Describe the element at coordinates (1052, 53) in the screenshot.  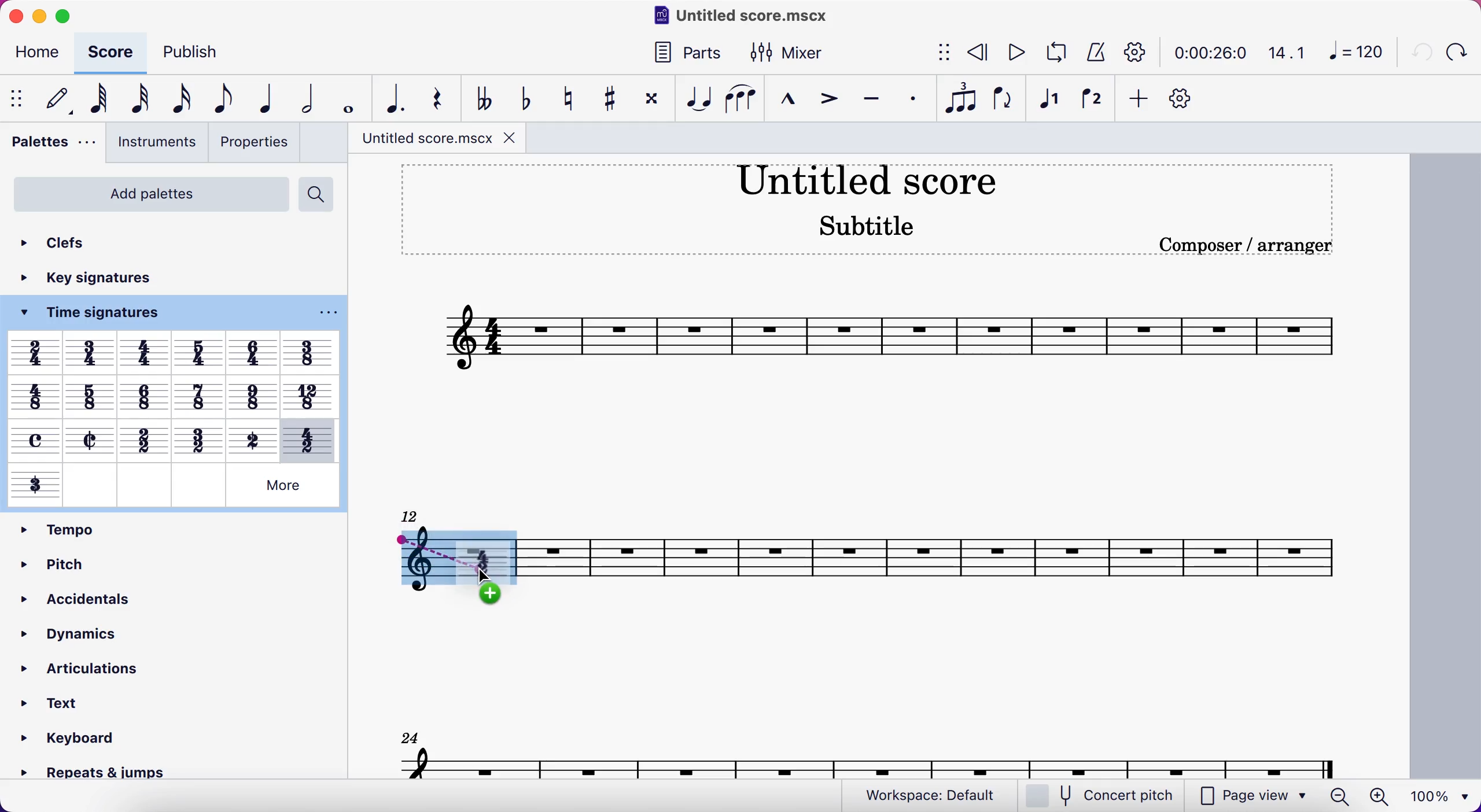
I see `loop playback` at that location.